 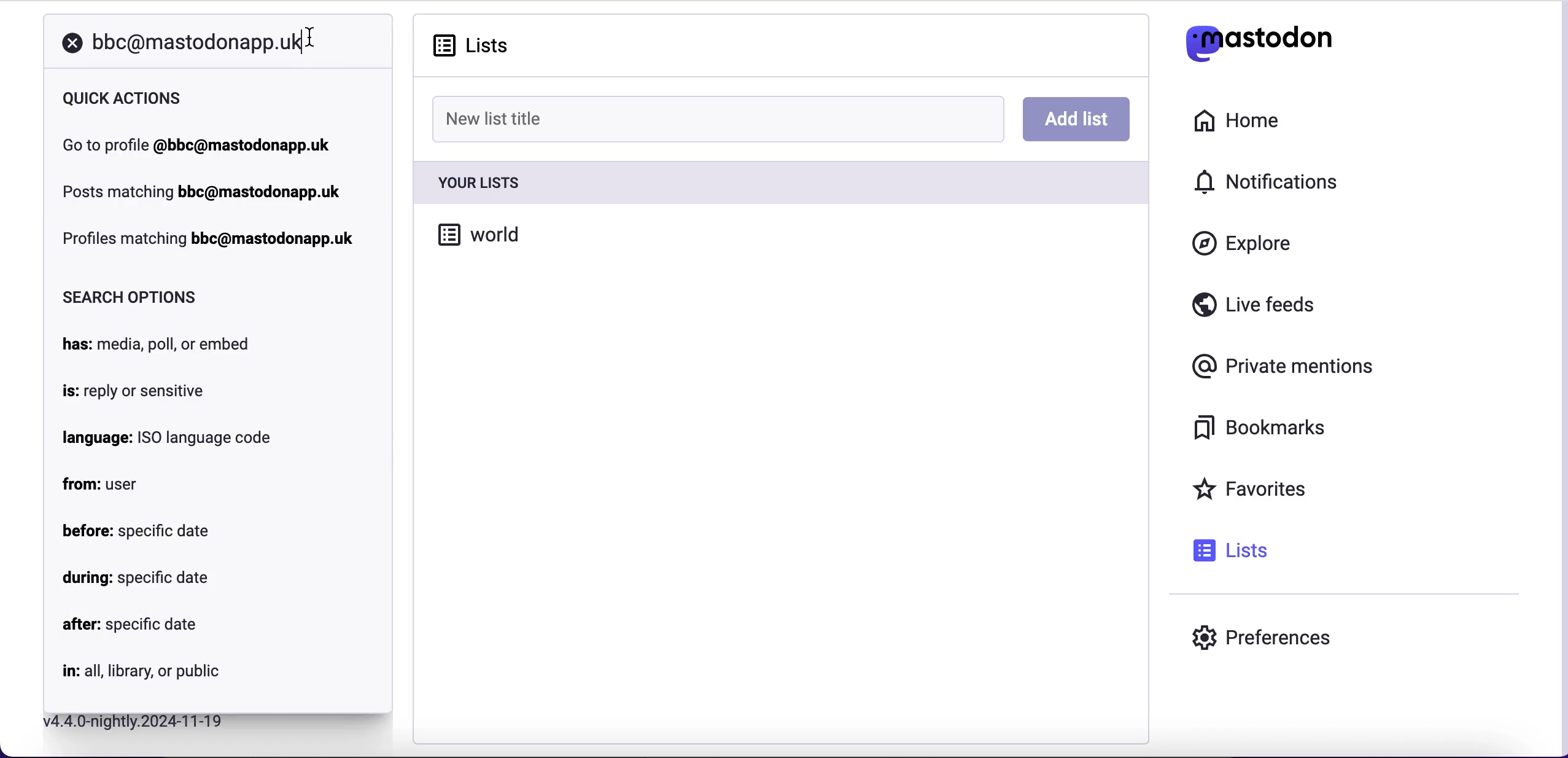 I want to click on cursor, so click(x=317, y=37).